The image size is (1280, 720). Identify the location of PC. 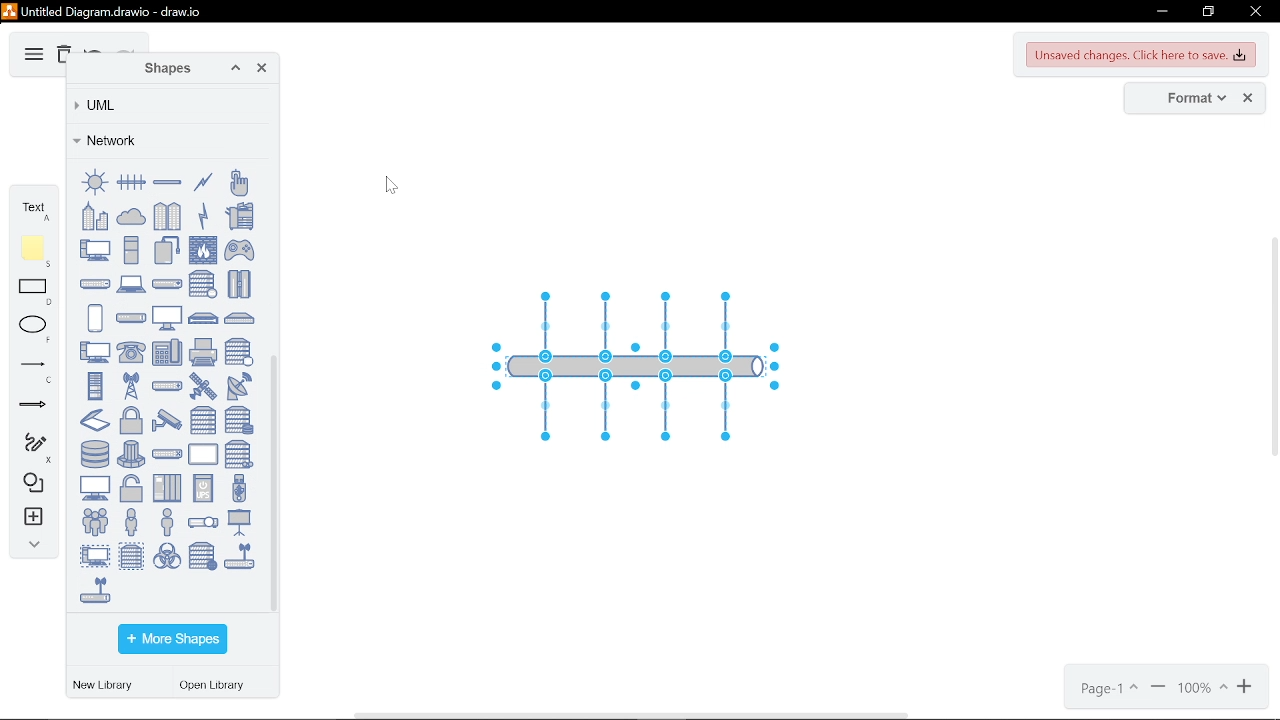
(95, 352).